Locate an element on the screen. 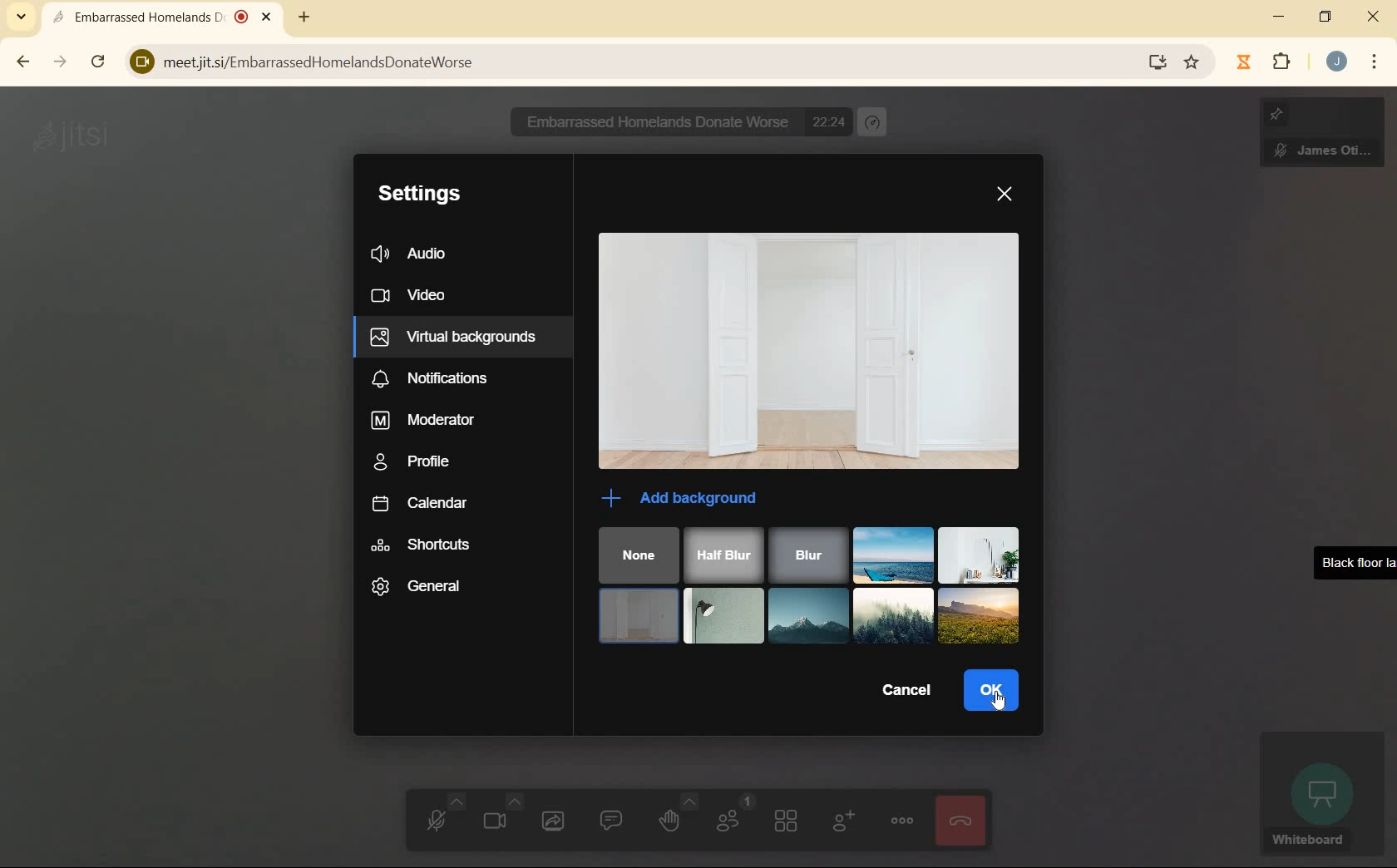 The width and height of the screenshot is (1397, 868). Embarrassed Homelands is located at coordinates (160, 16).